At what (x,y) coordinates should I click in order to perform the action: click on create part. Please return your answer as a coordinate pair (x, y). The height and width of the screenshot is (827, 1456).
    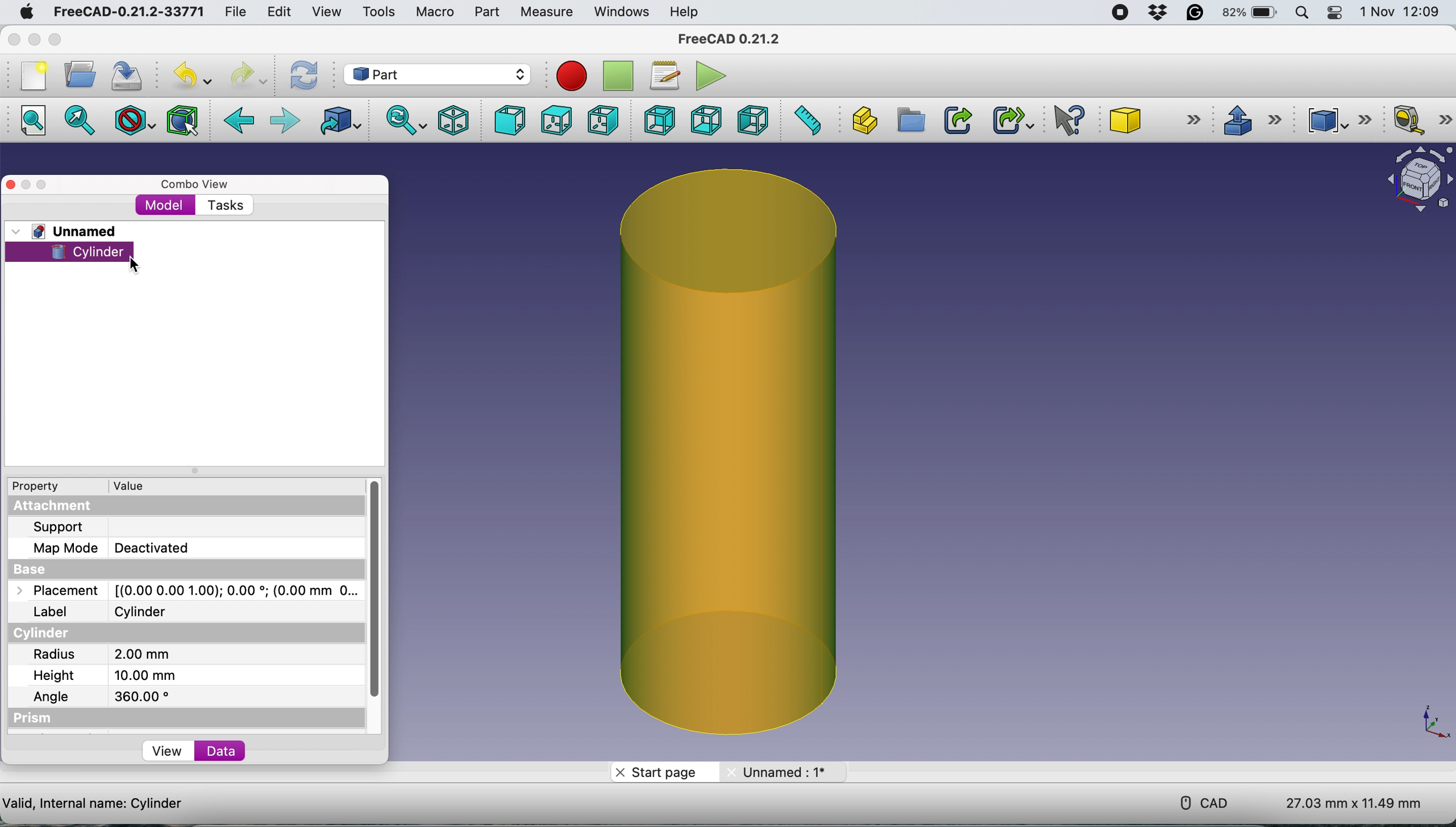
    Looking at the image, I should click on (862, 120).